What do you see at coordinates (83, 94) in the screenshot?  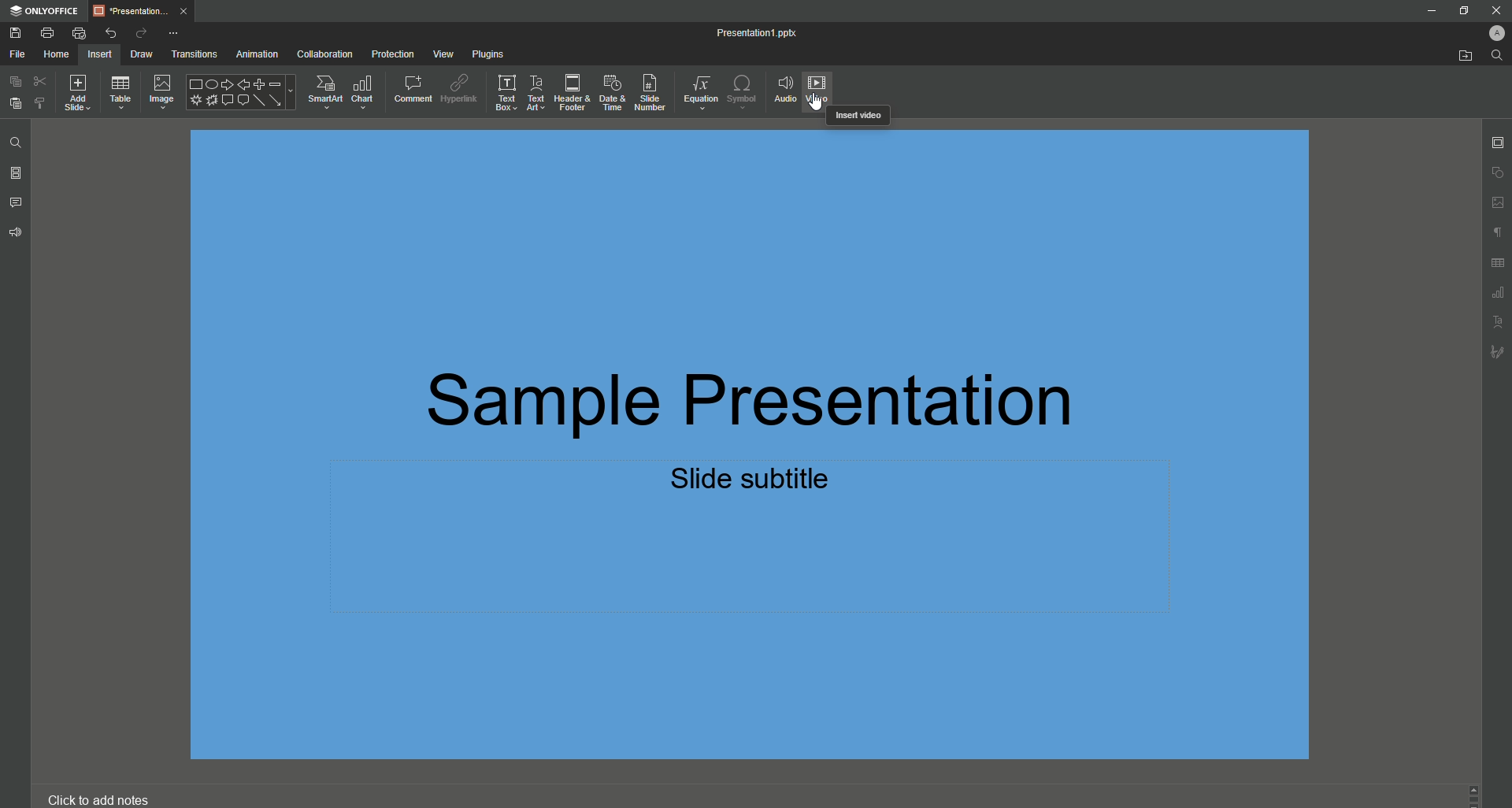 I see `Add Slide` at bounding box center [83, 94].